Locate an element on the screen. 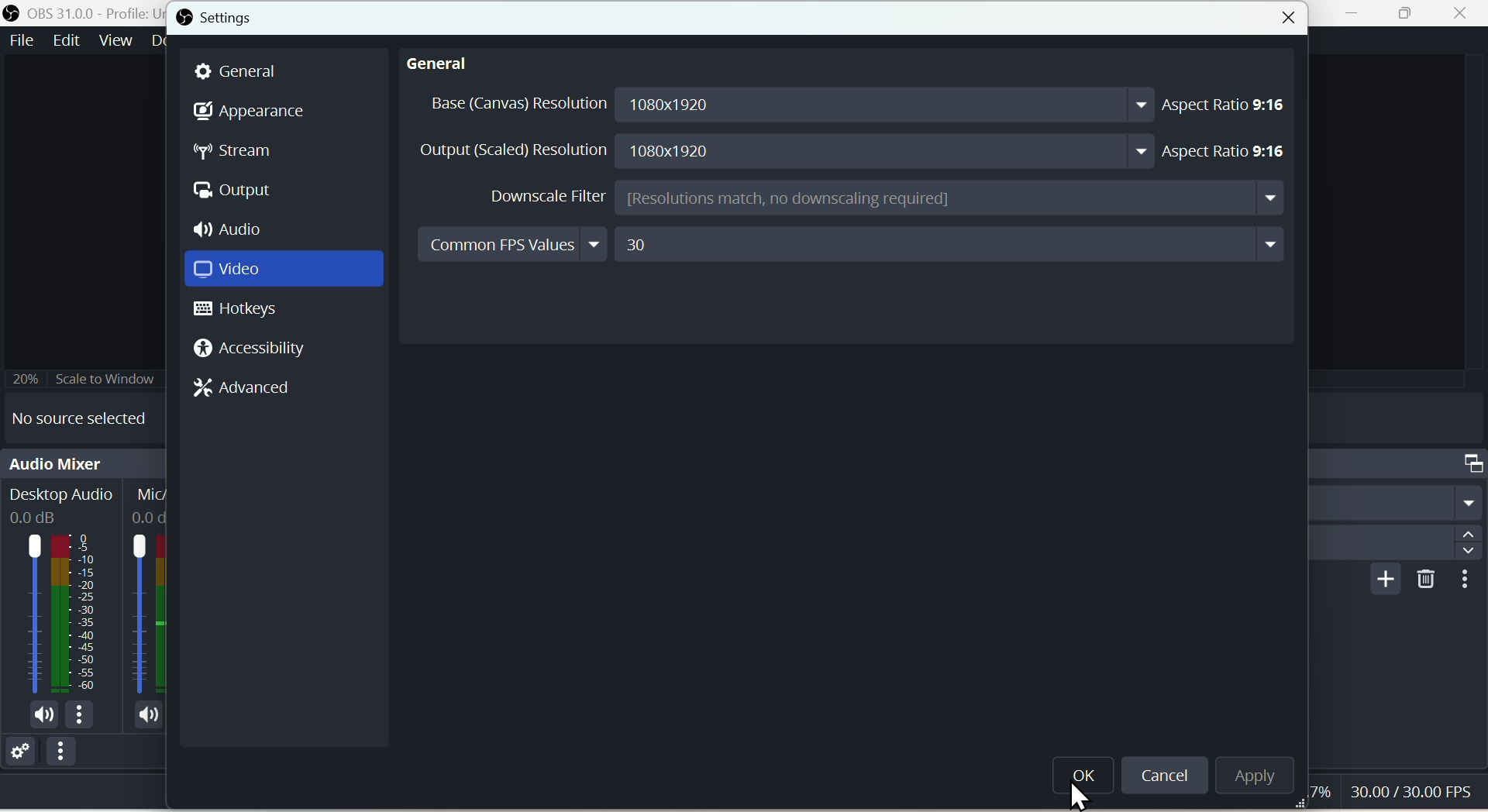 The width and height of the screenshot is (1488, 812). Output is located at coordinates (239, 192).